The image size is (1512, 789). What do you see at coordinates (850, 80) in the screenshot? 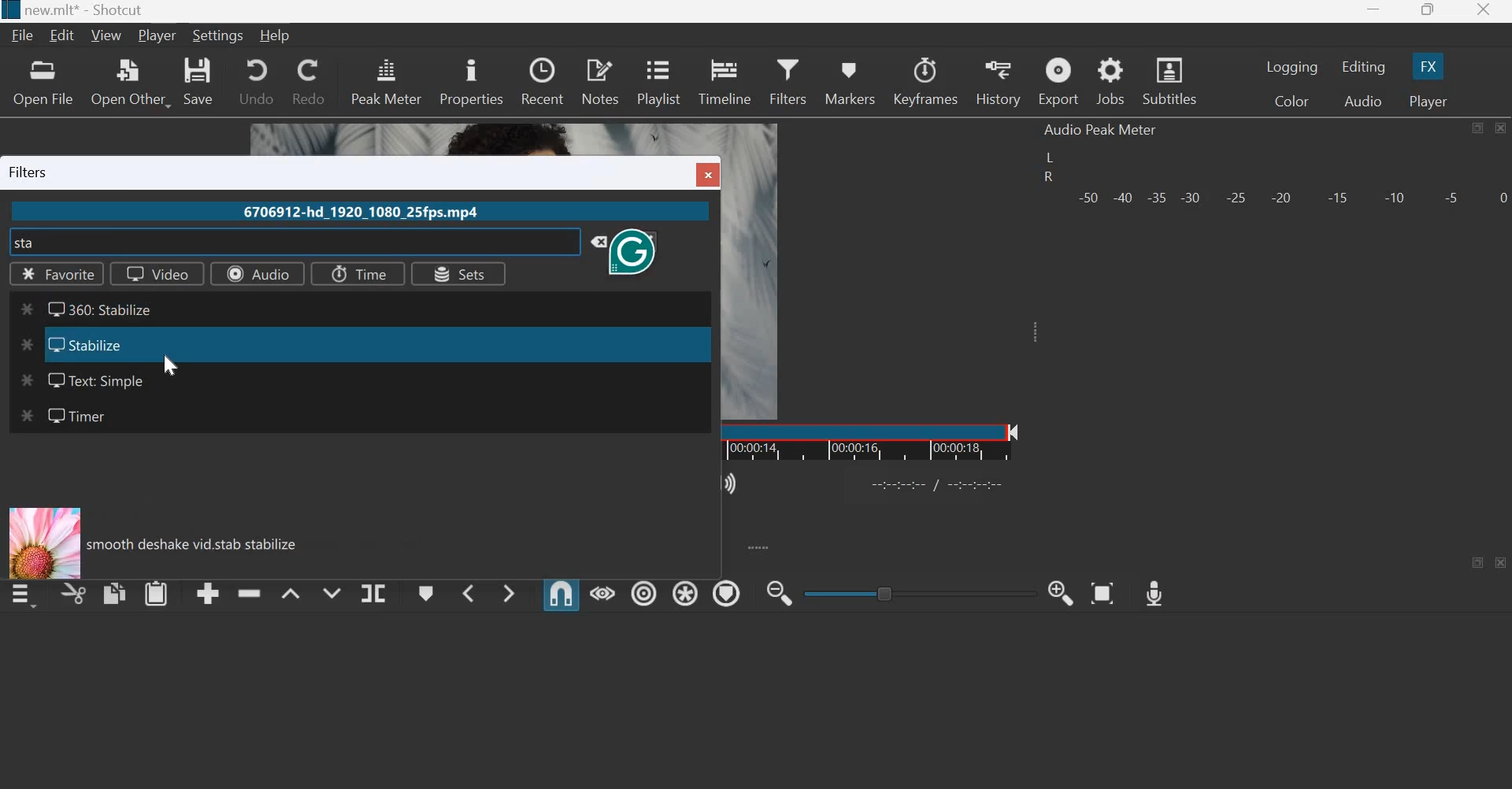
I see `Markers` at bounding box center [850, 80].